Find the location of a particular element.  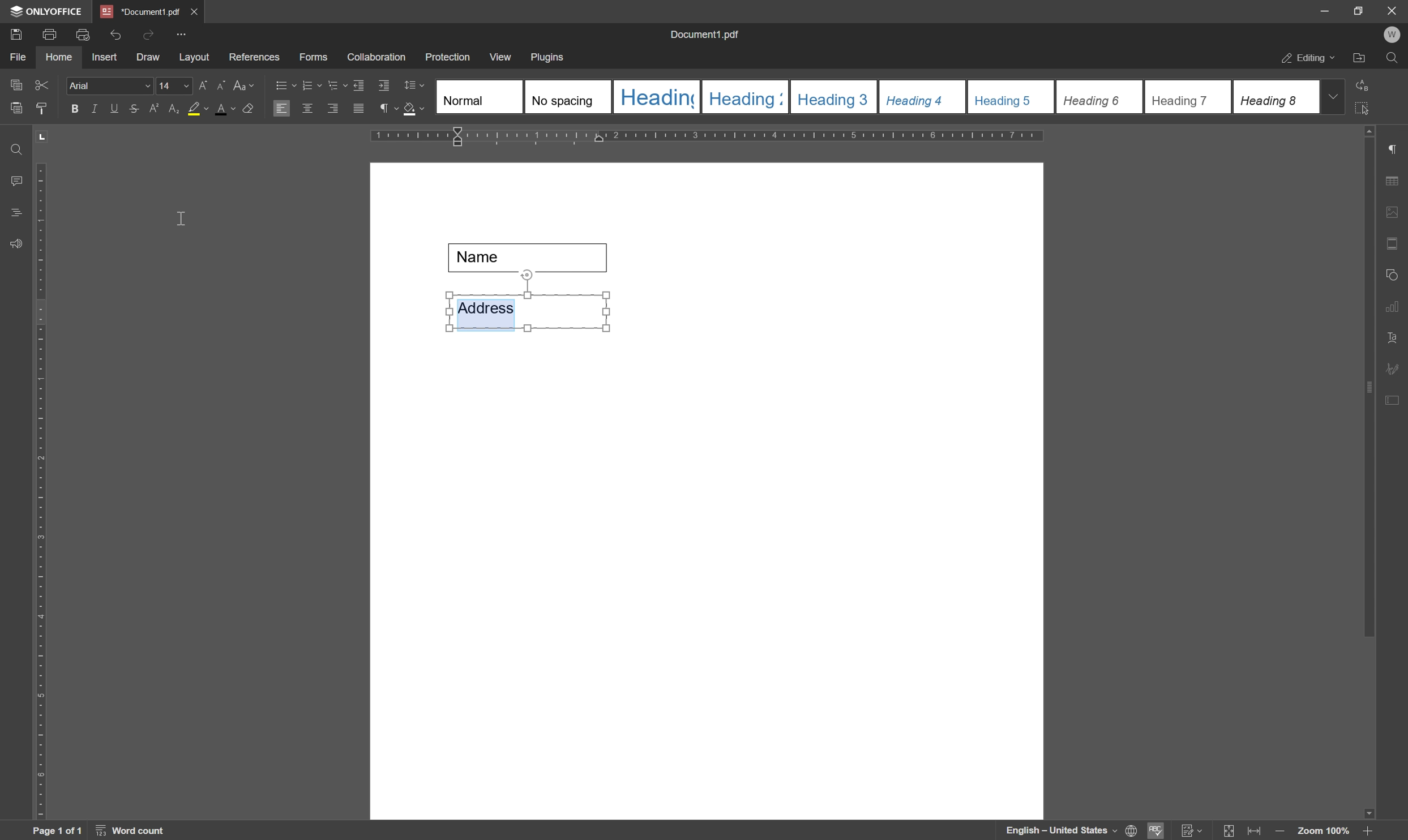

form settings is located at coordinates (1394, 398).